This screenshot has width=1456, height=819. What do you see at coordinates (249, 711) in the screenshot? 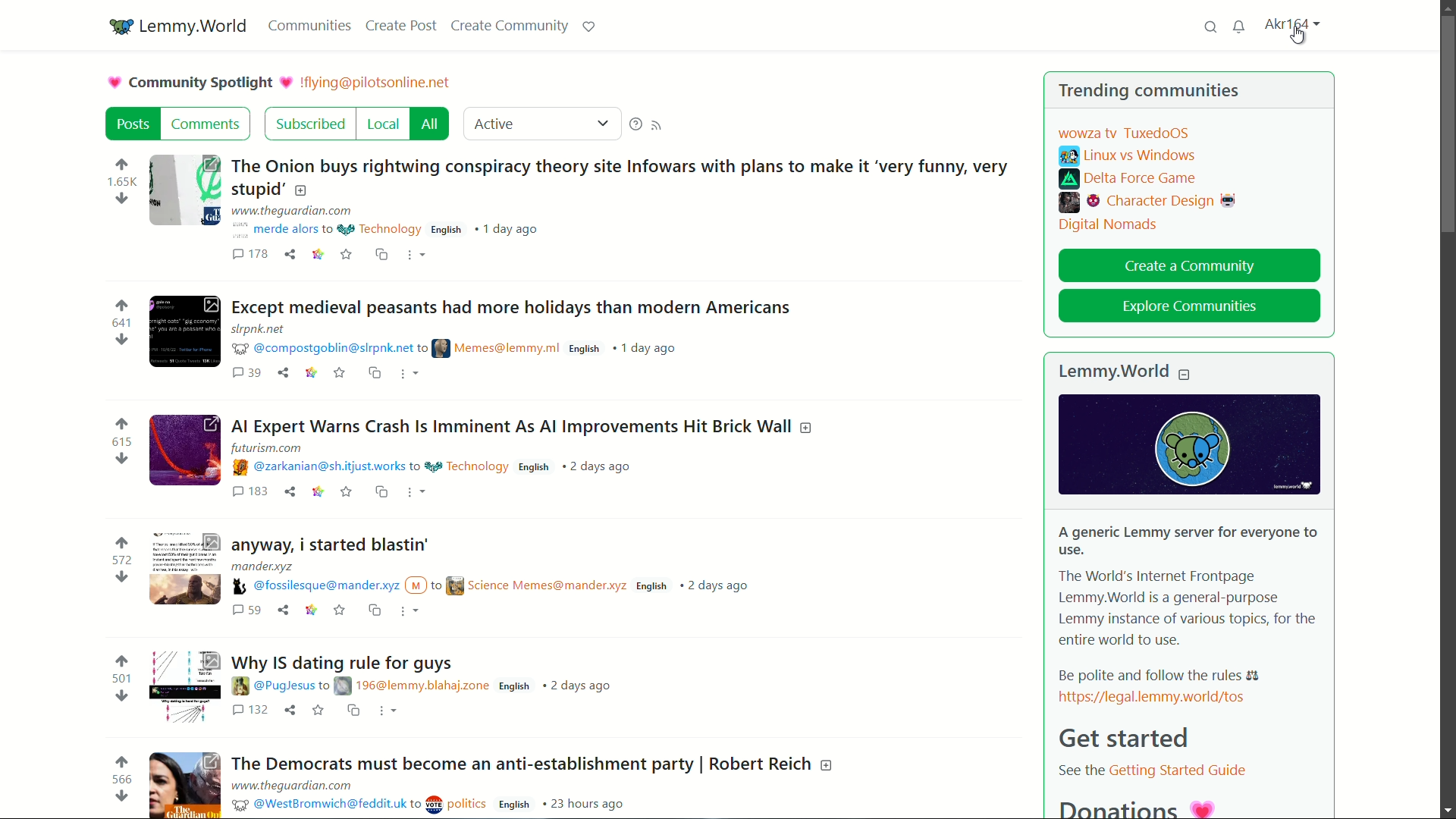
I see `comments` at bounding box center [249, 711].